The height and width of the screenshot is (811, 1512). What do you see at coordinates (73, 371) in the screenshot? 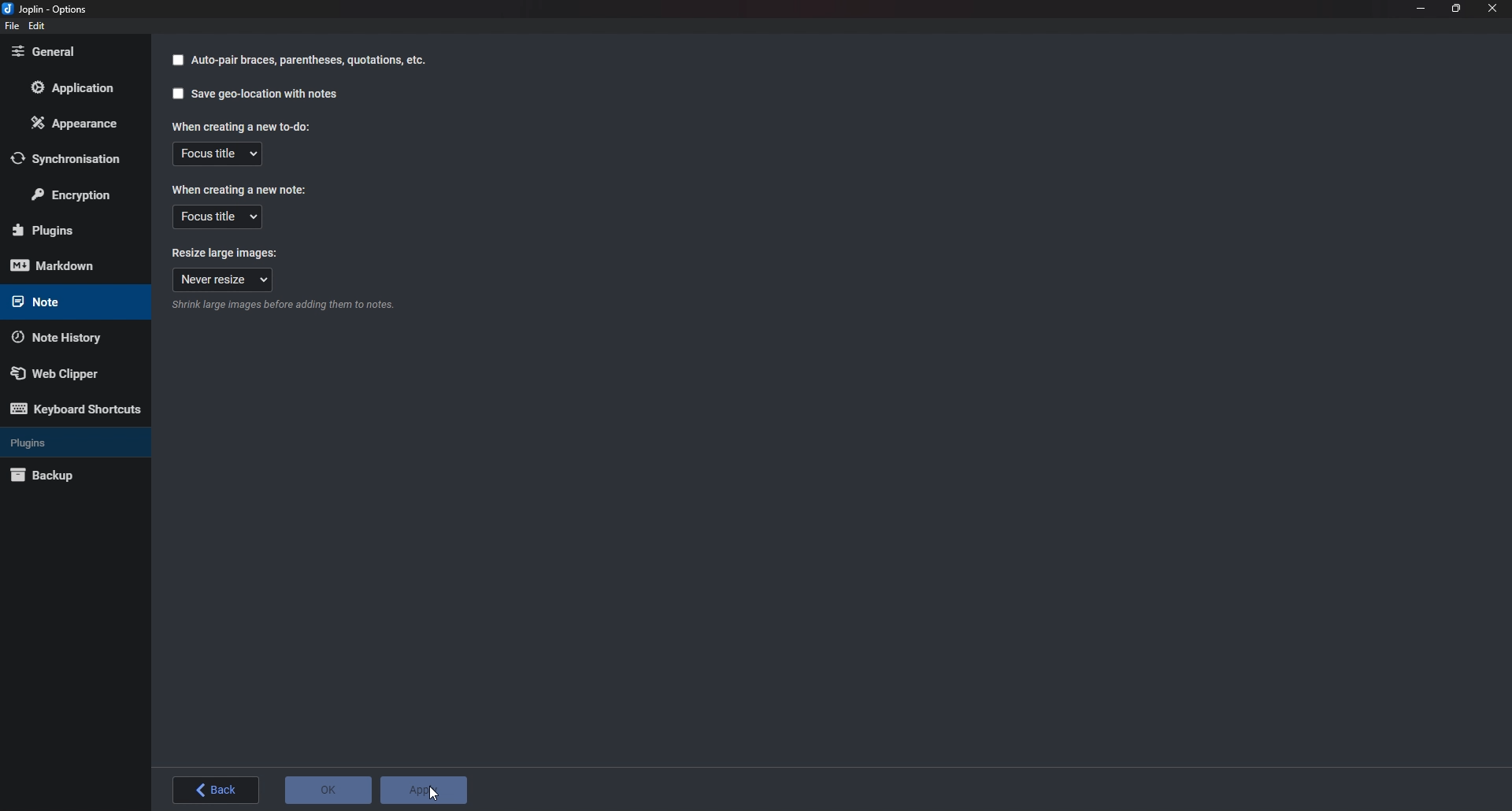
I see `Web Clipper` at bounding box center [73, 371].